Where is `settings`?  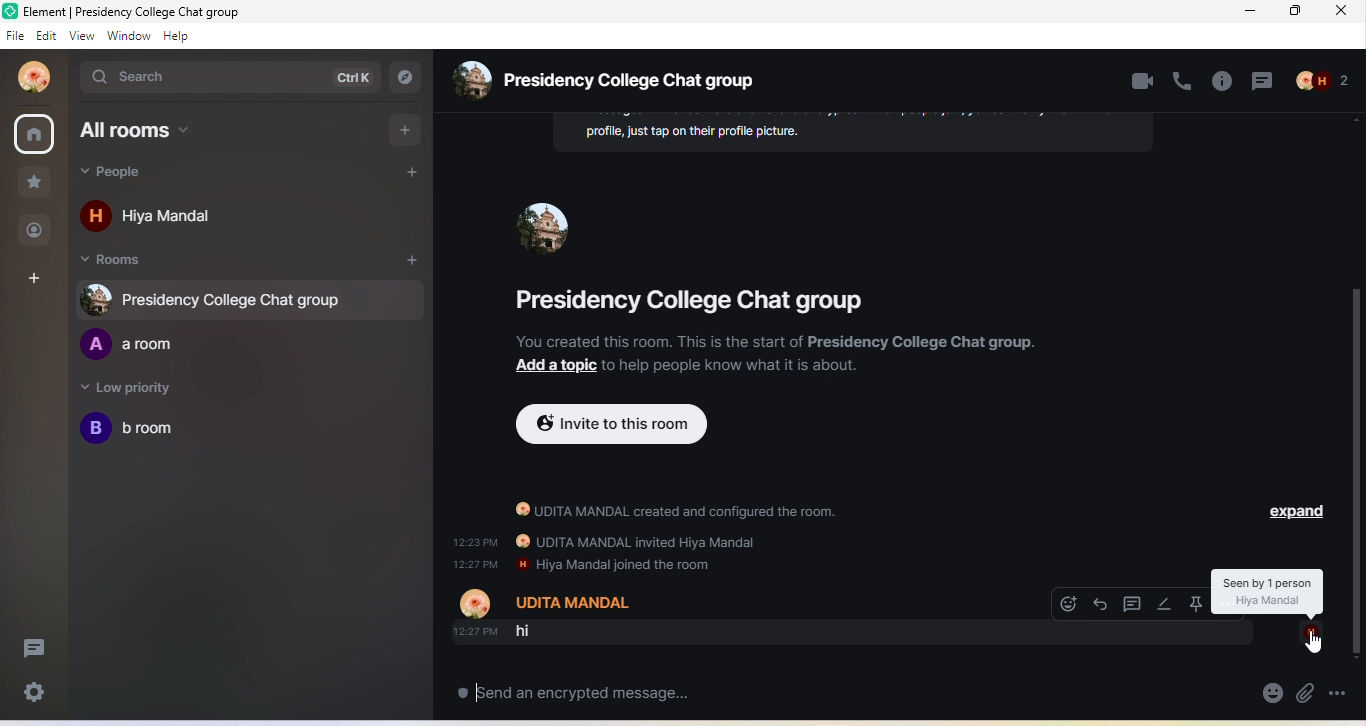
settings is located at coordinates (36, 695).